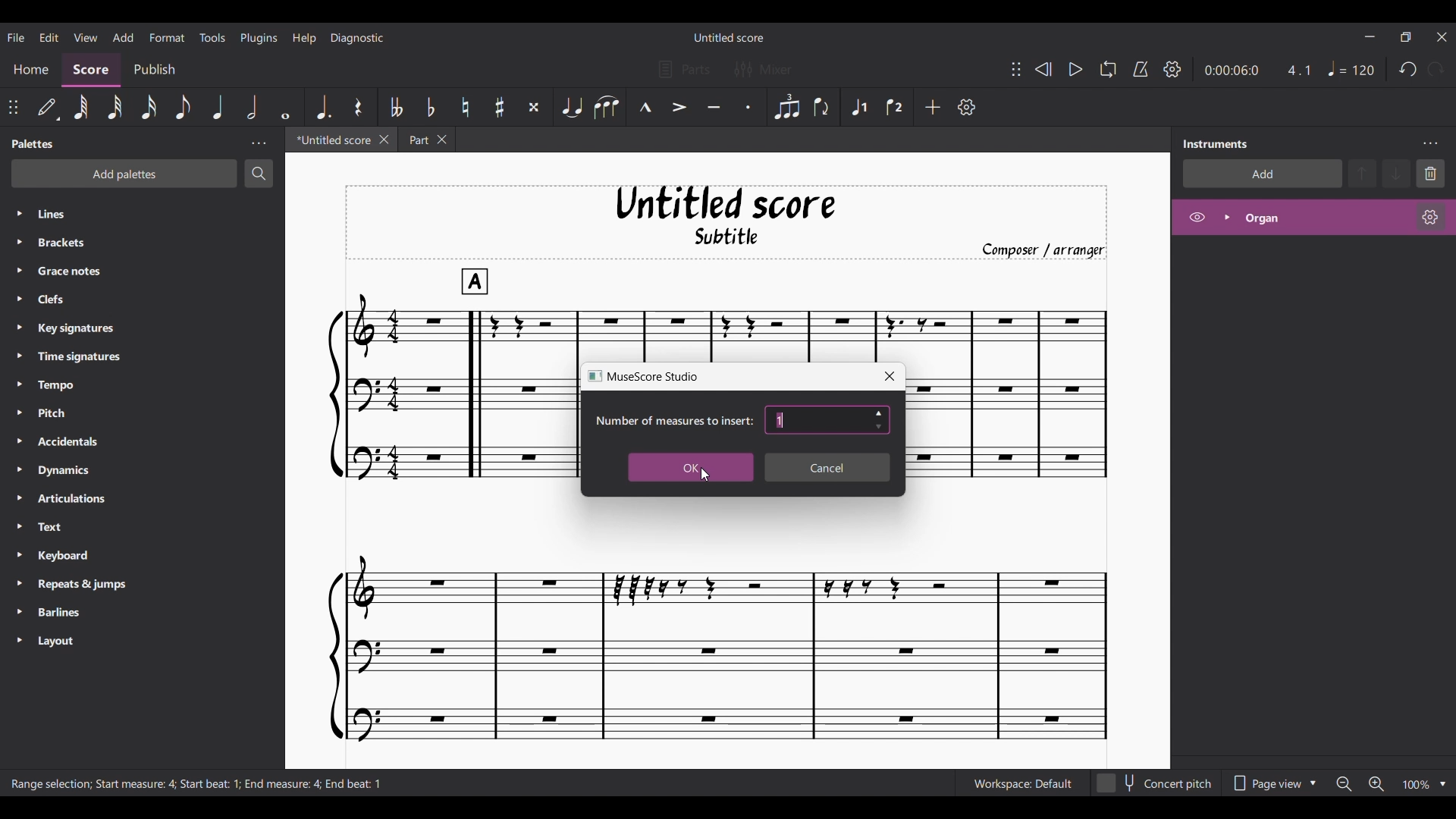 The image size is (1456, 819). What do you see at coordinates (1015, 69) in the screenshot?
I see `Change position of toolbar` at bounding box center [1015, 69].